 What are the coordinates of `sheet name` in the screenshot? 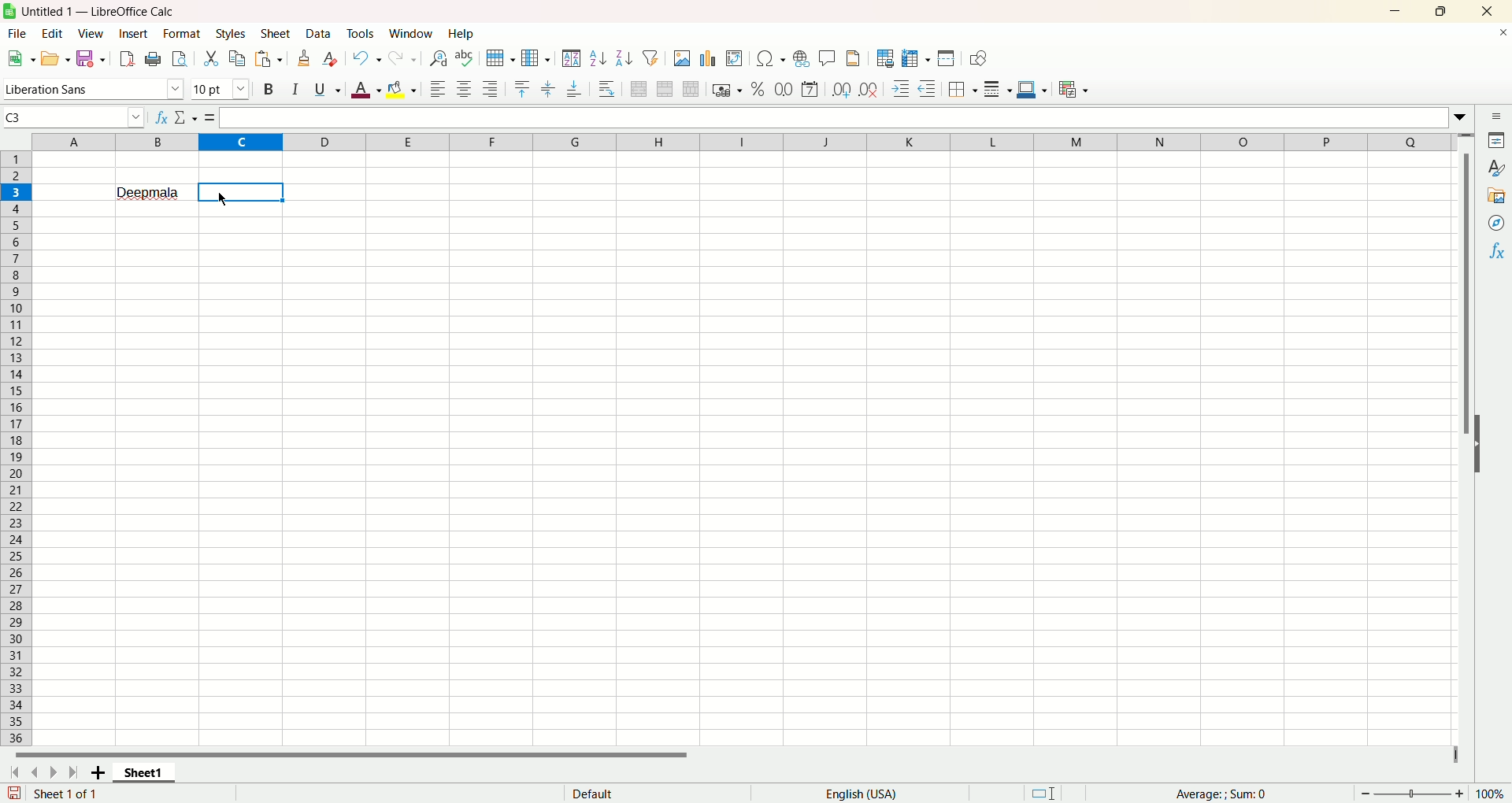 It's located at (143, 776).